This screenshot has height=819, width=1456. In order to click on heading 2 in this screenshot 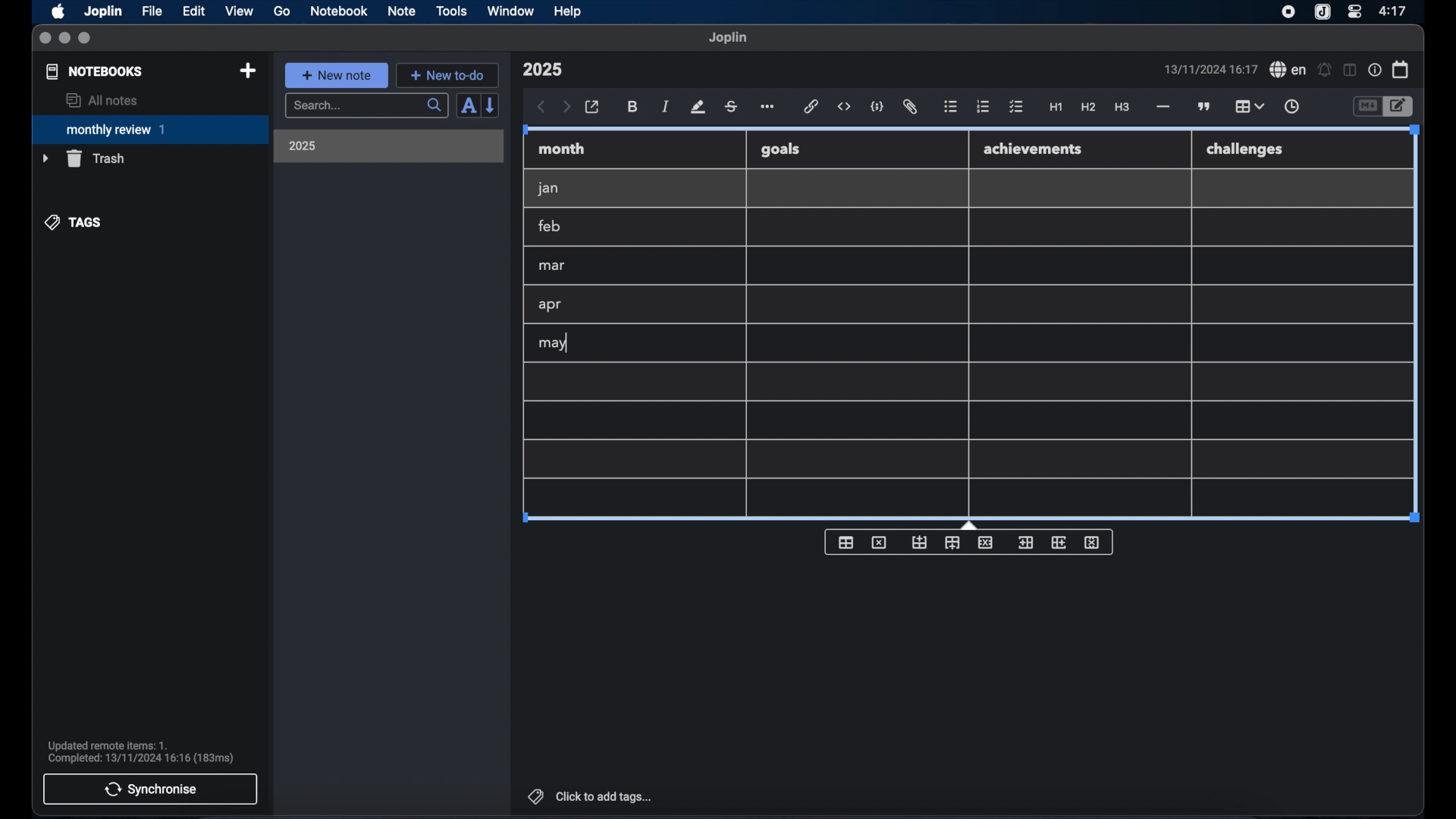, I will do `click(1089, 108)`.